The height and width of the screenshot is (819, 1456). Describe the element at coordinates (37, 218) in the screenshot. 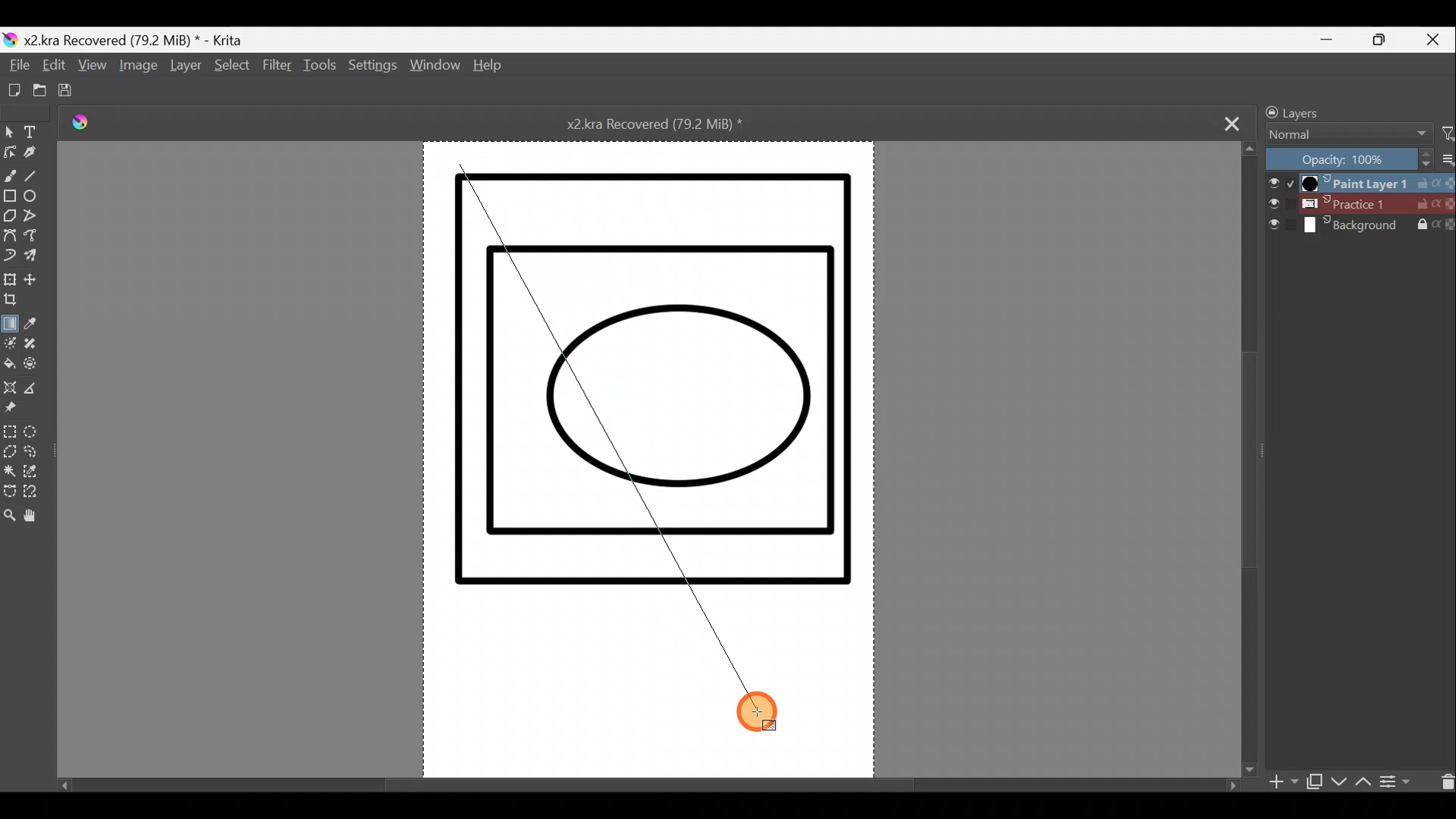

I see `Polyline tool` at that location.